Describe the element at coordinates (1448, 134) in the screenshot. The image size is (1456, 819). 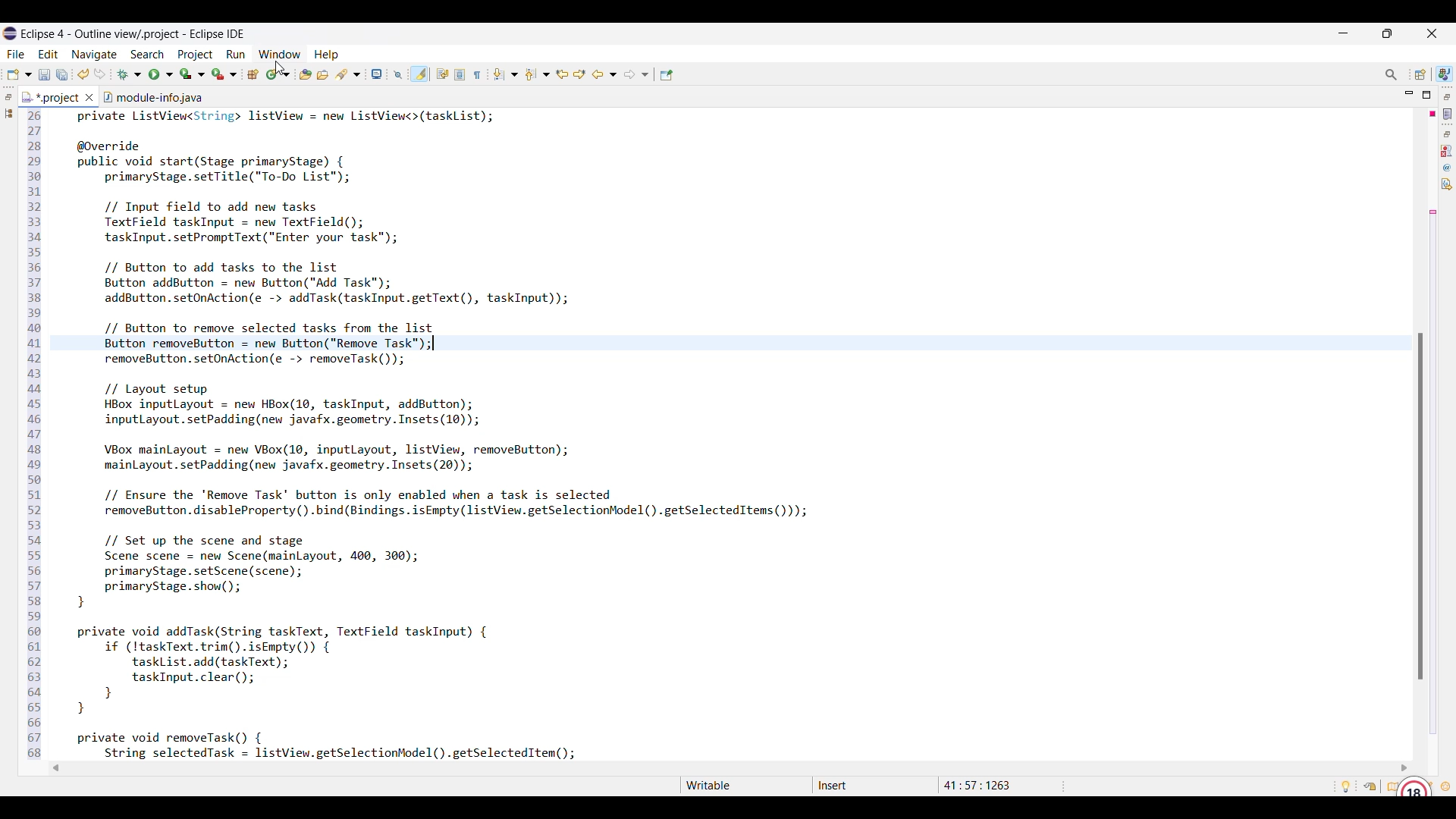
I see `Restore` at that location.